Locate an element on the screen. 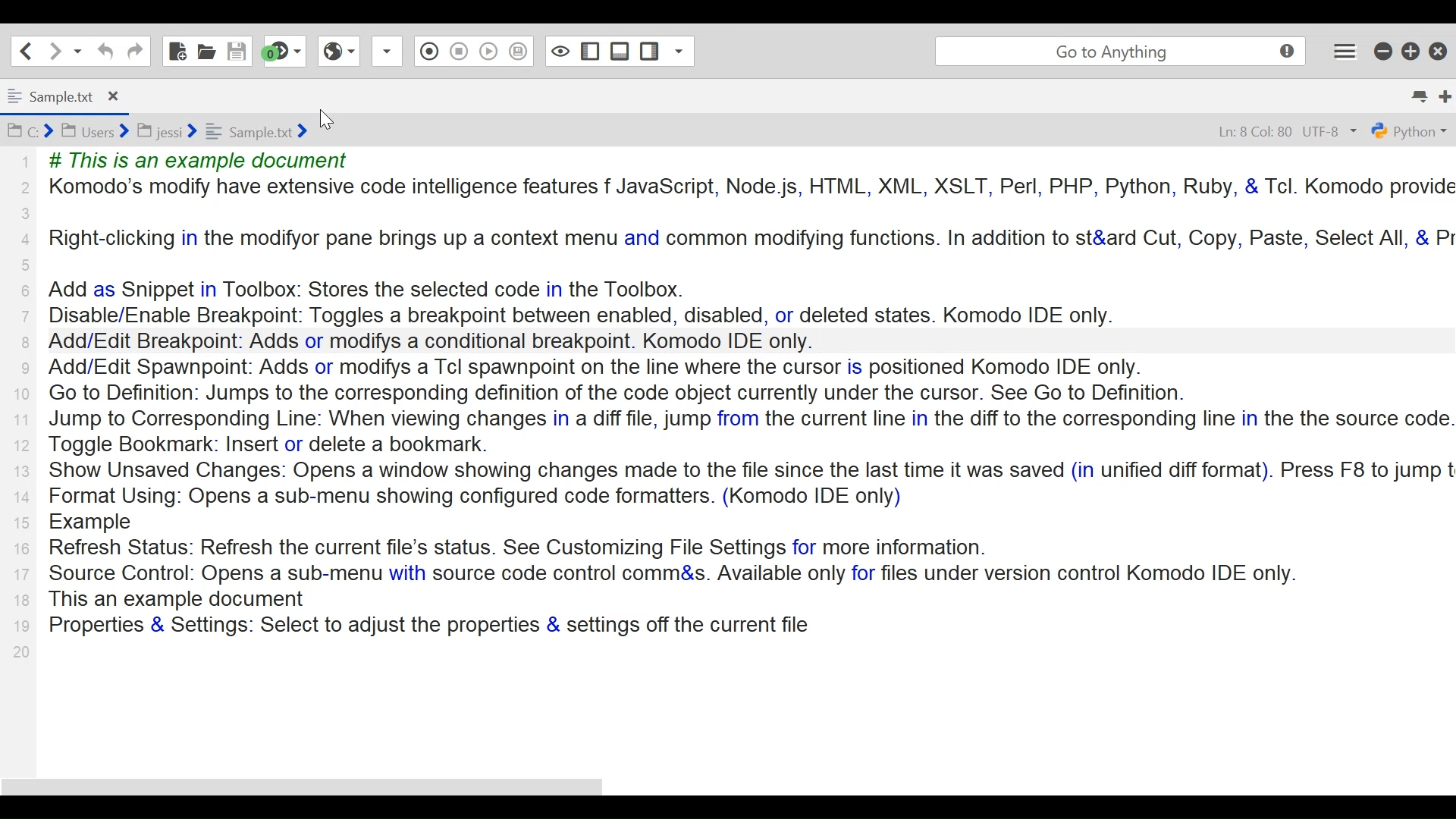  New Tab is located at coordinates (1447, 94).